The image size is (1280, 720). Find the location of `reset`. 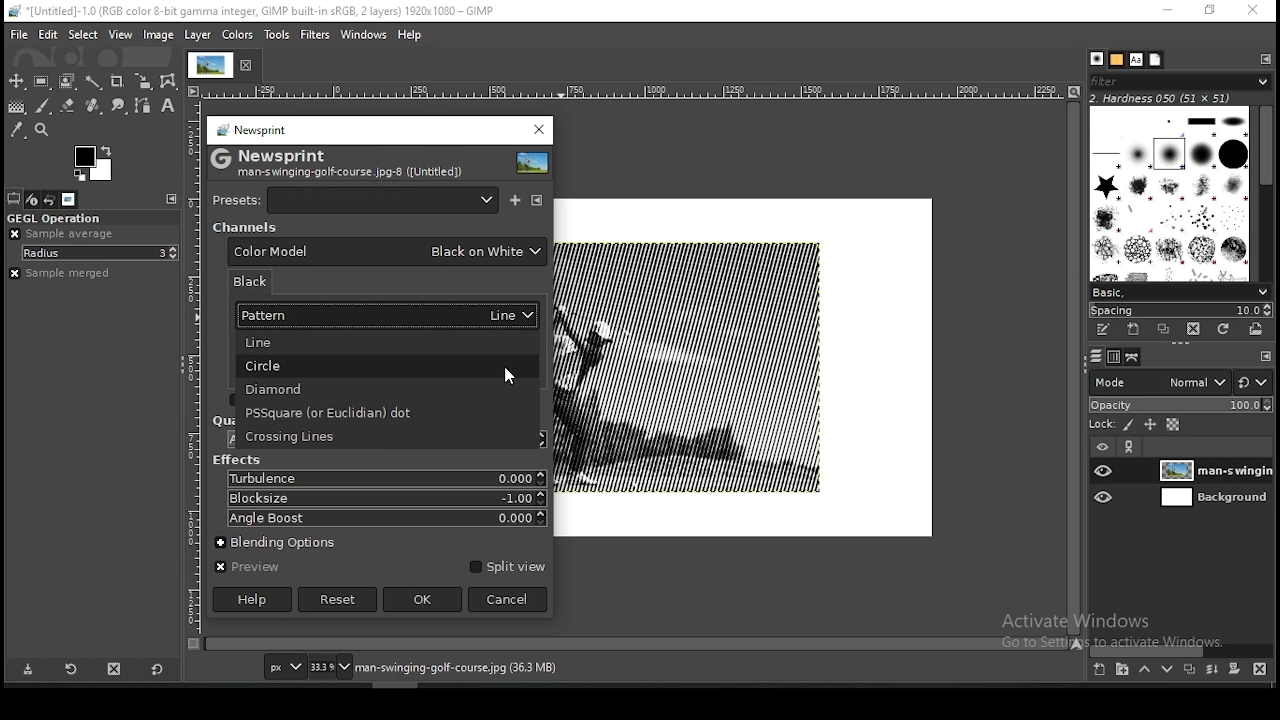

reset is located at coordinates (158, 668).